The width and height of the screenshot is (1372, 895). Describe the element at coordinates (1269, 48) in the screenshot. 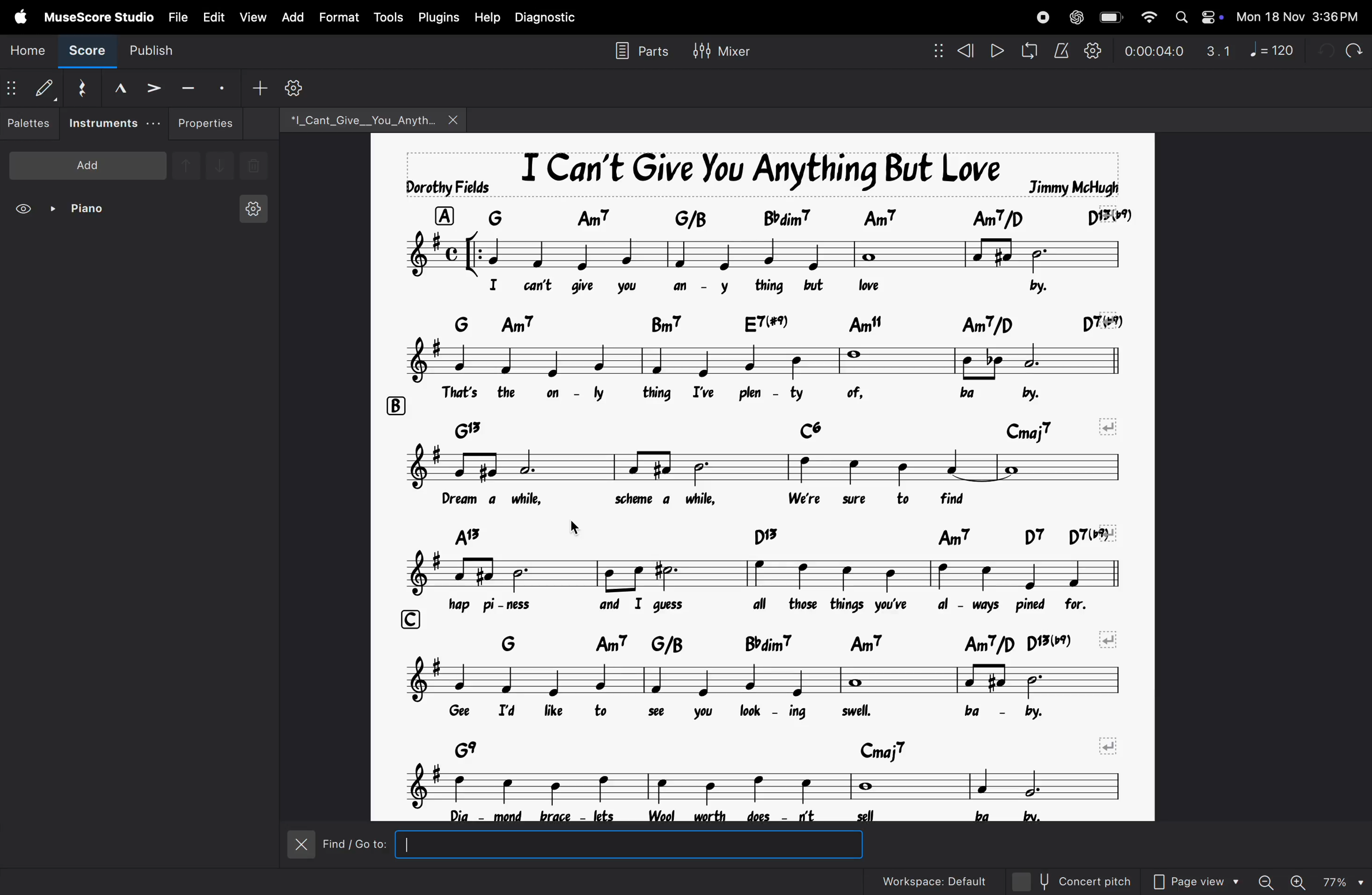

I see `note 120` at that location.